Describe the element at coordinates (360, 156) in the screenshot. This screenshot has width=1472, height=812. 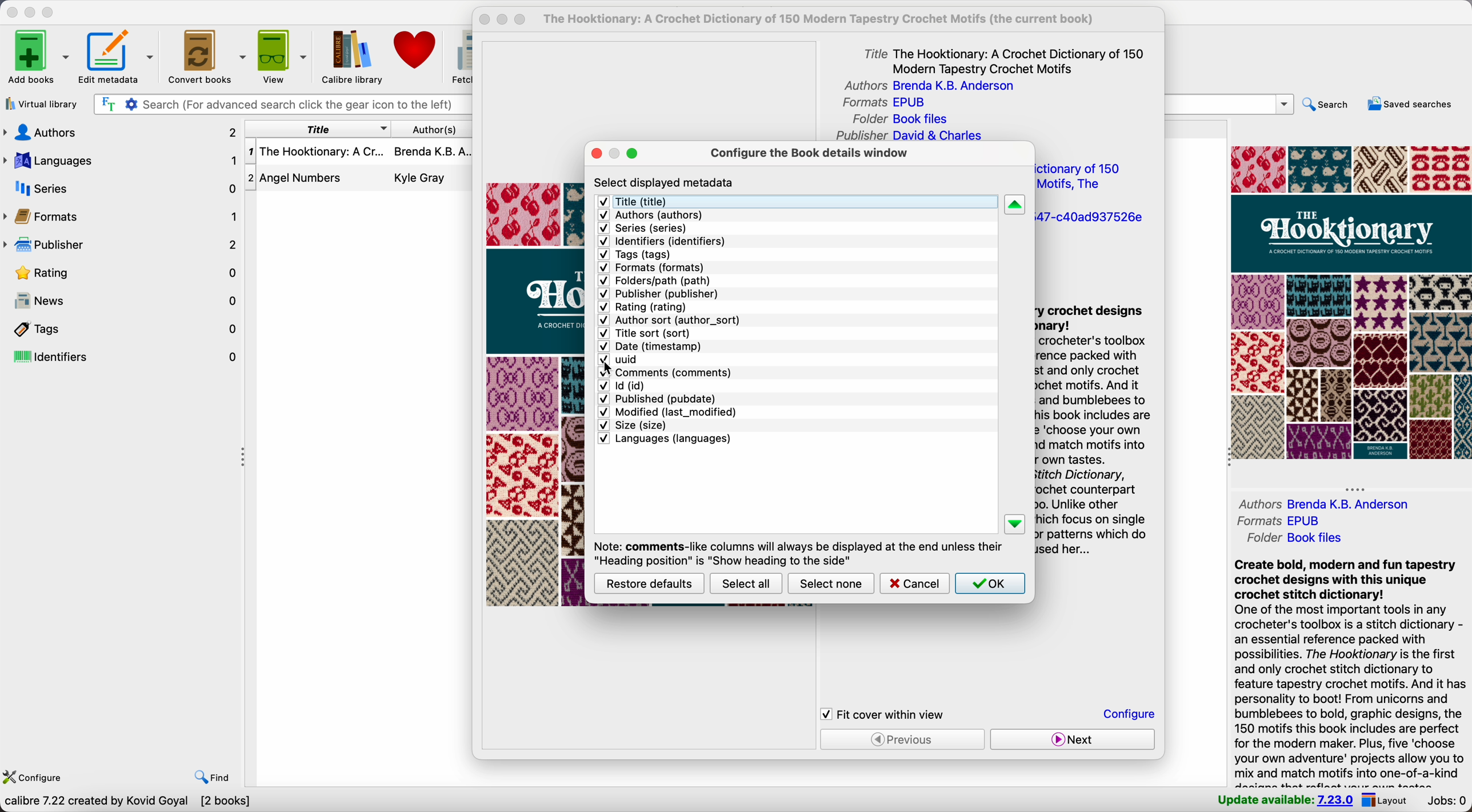
I see `The Hooktionary book details` at that location.